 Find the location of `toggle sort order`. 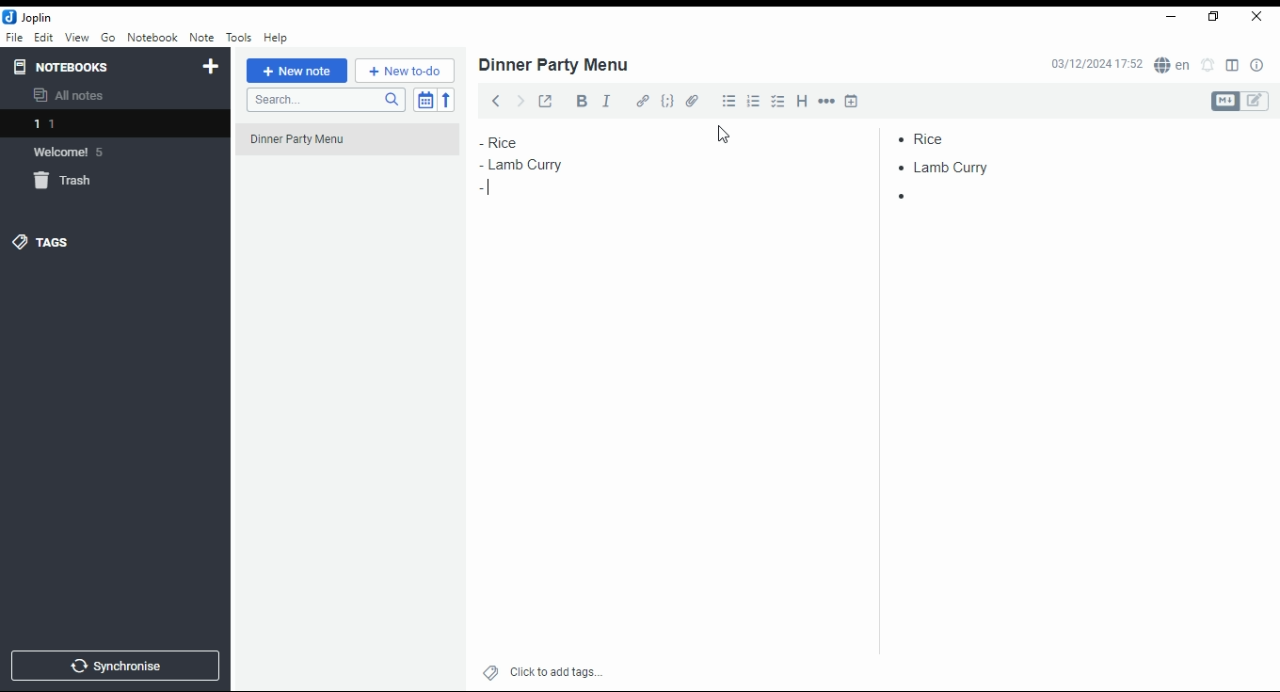

toggle sort order is located at coordinates (424, 99).